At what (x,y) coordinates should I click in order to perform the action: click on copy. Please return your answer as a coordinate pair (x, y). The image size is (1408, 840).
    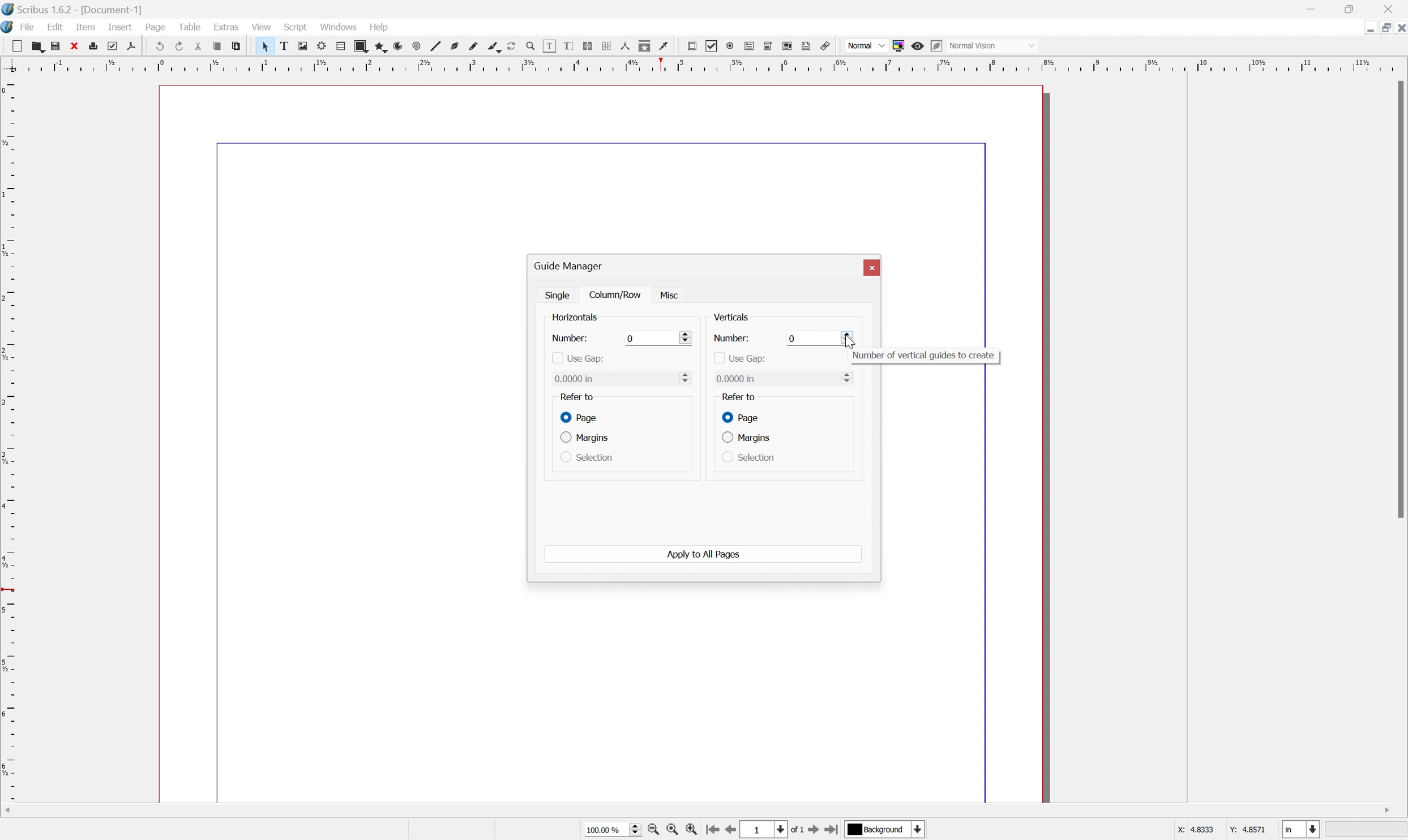
    Looking at the image, I should click on (217, 44).